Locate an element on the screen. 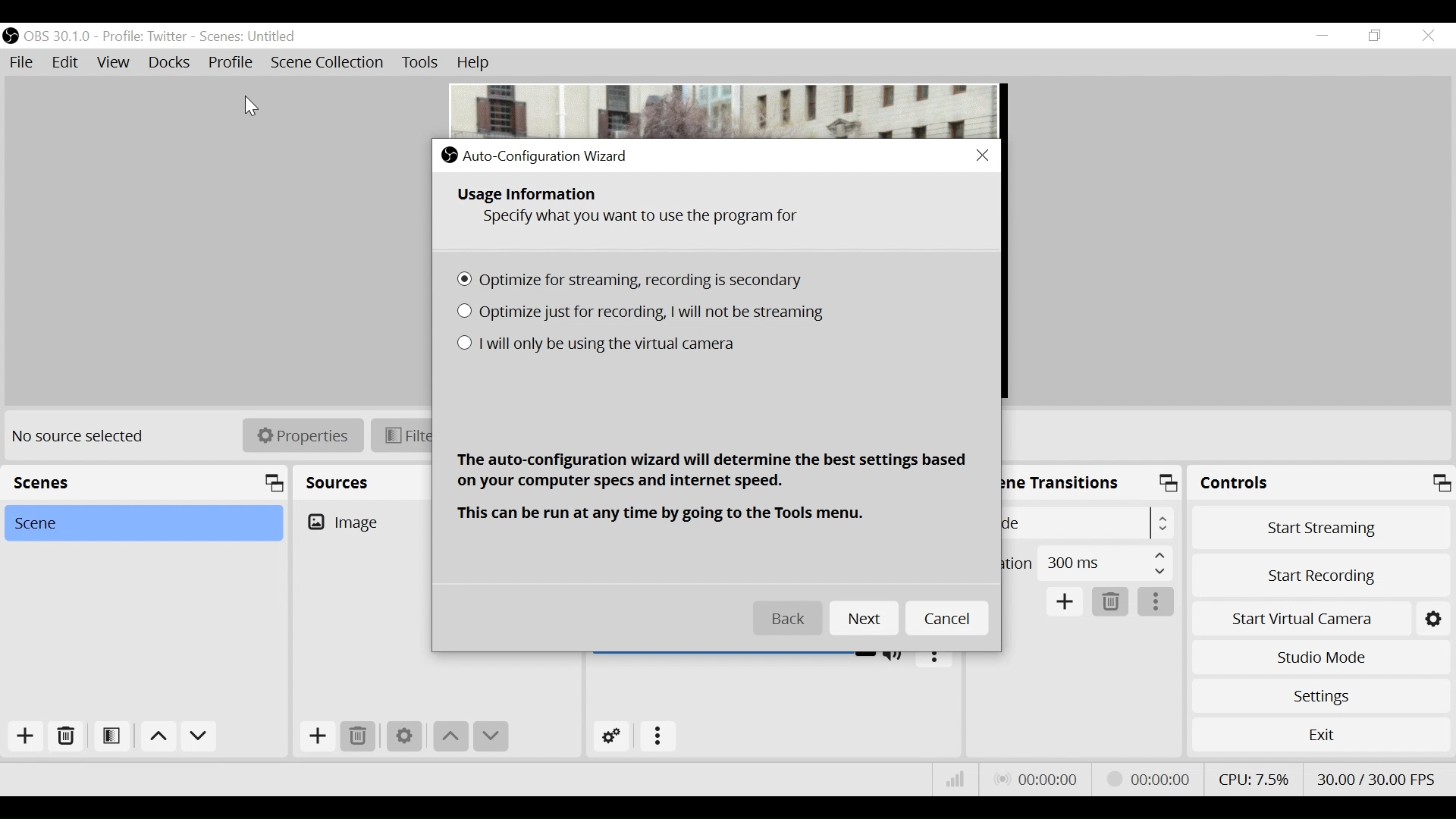 The image size is (1456, 819). move up is located at coordinates (158, 737).